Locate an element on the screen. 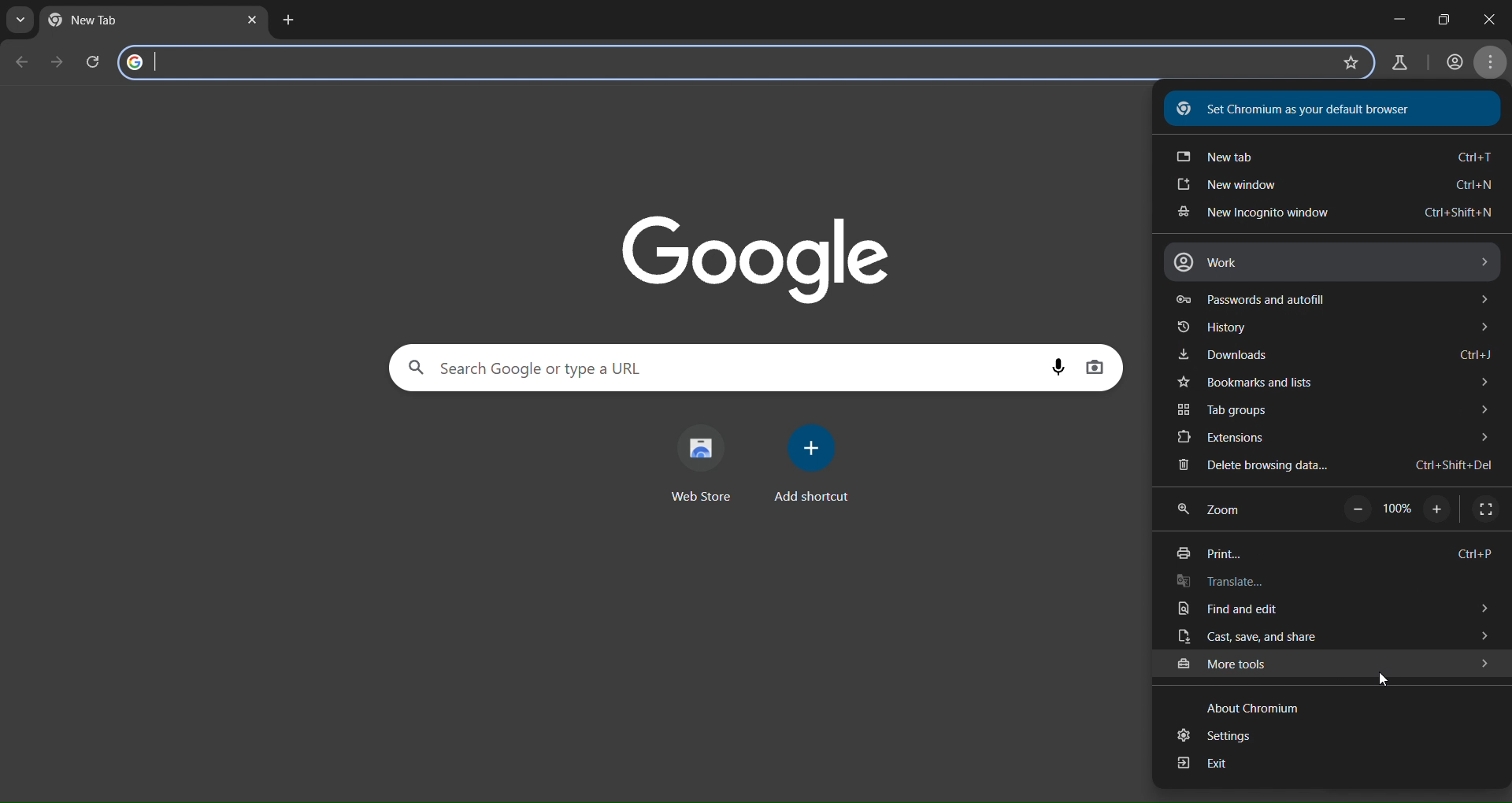  passwords and autofill is located at coordinates (1326, 299).